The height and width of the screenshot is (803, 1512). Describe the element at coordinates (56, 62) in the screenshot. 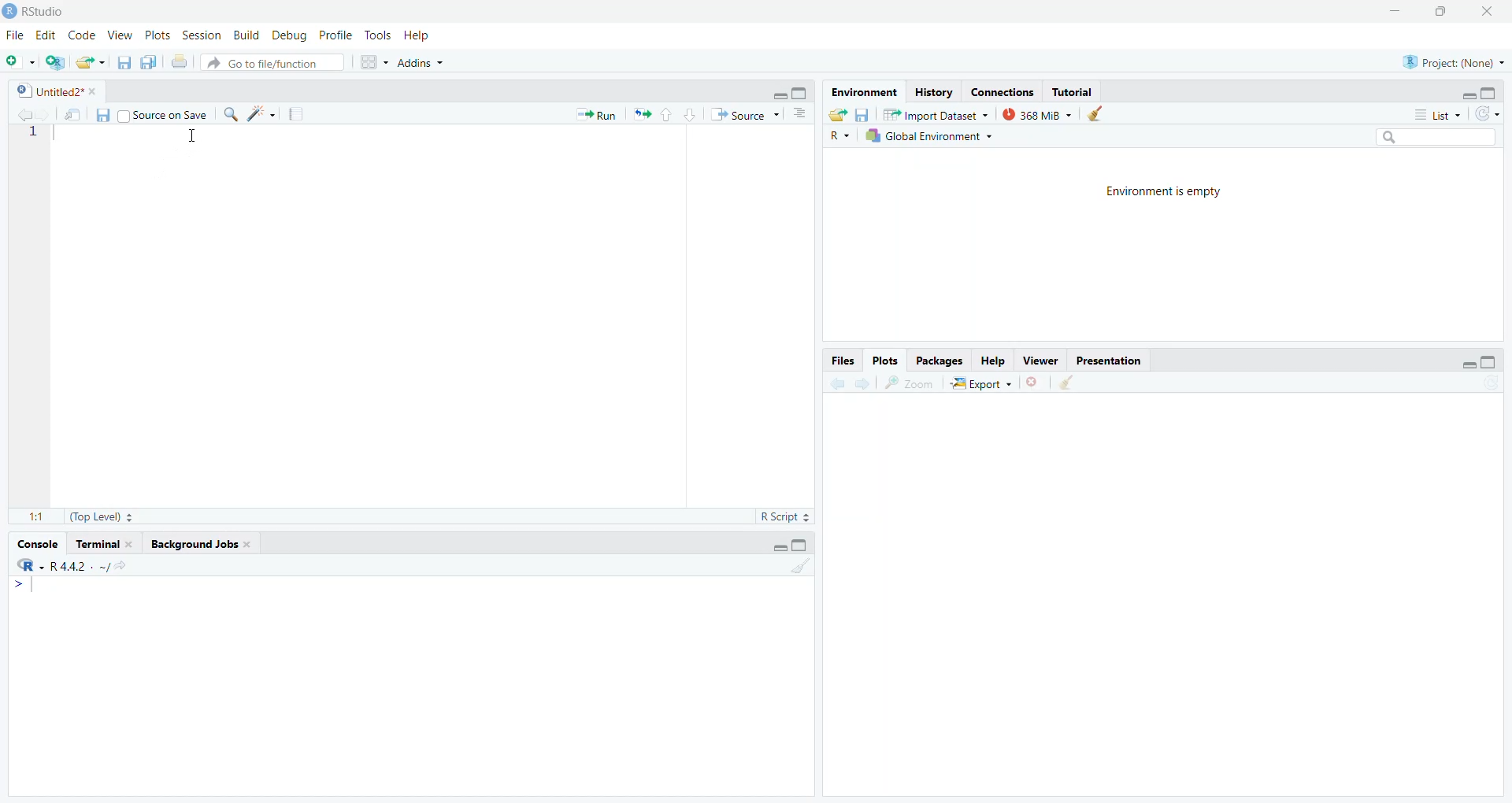

I see `add script` at that location.